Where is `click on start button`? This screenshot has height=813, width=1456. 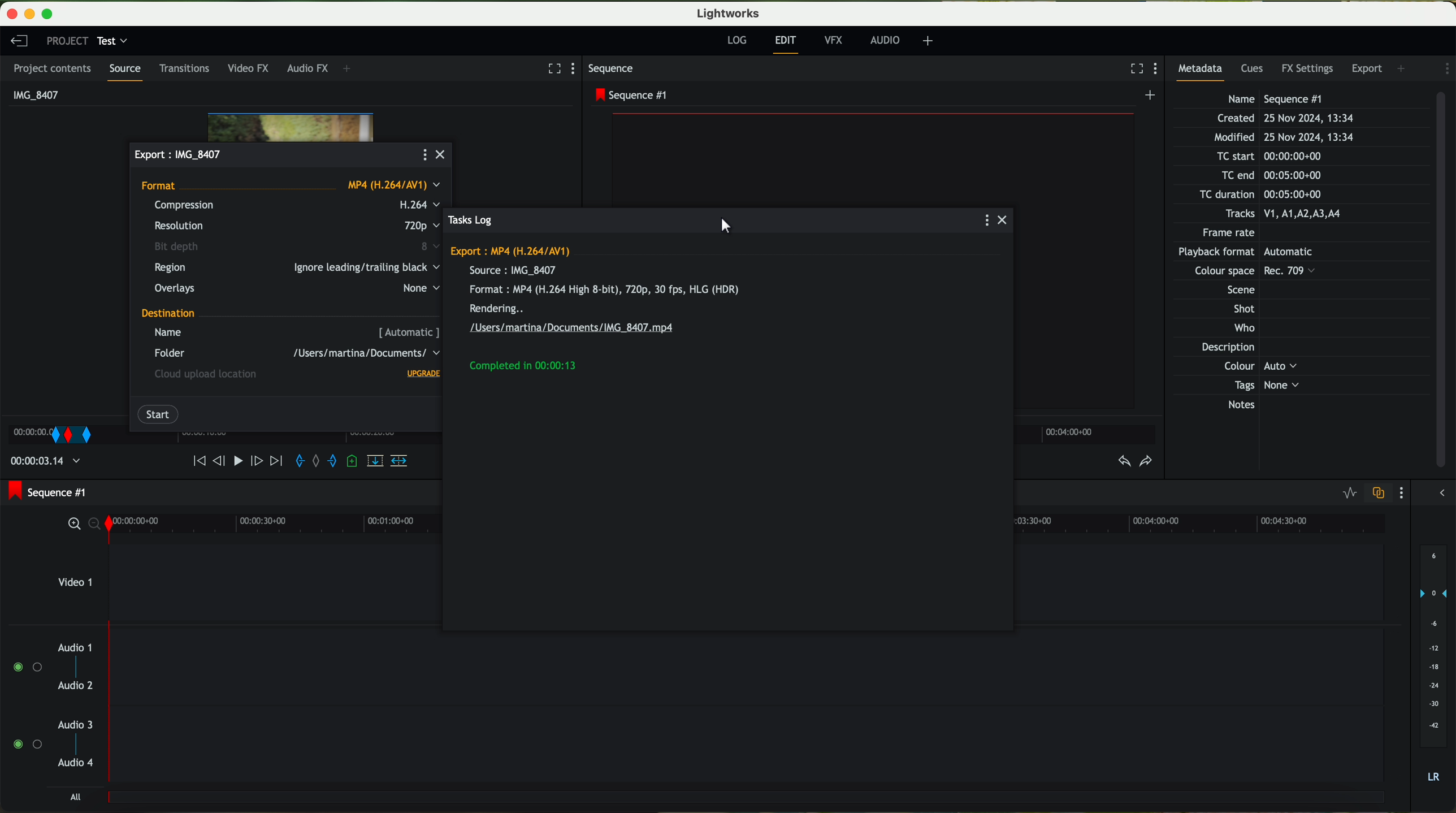 click on start button is located at coordinates (161, 412).